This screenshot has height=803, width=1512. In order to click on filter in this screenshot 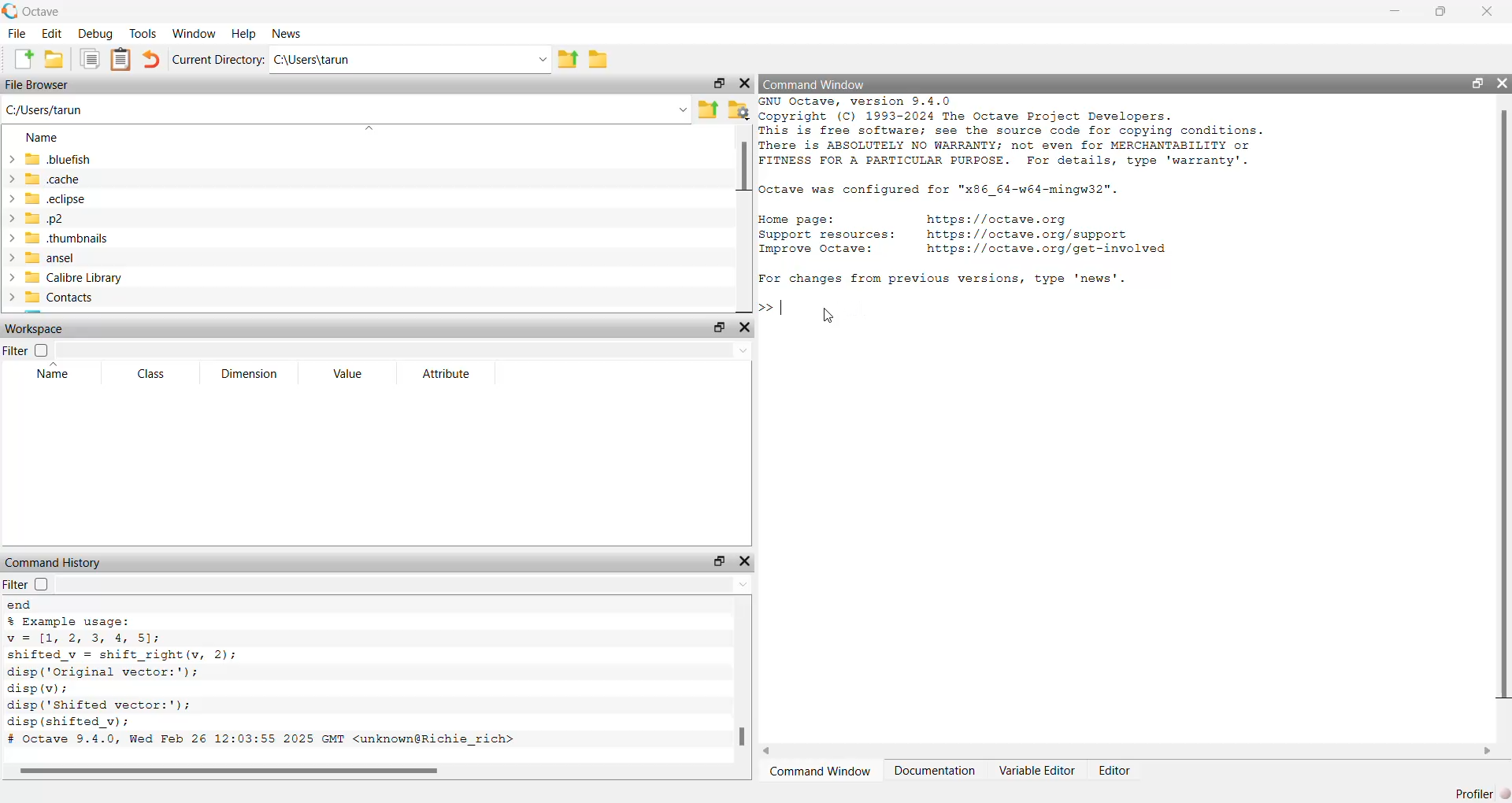, I will do `click(28, 587)`.